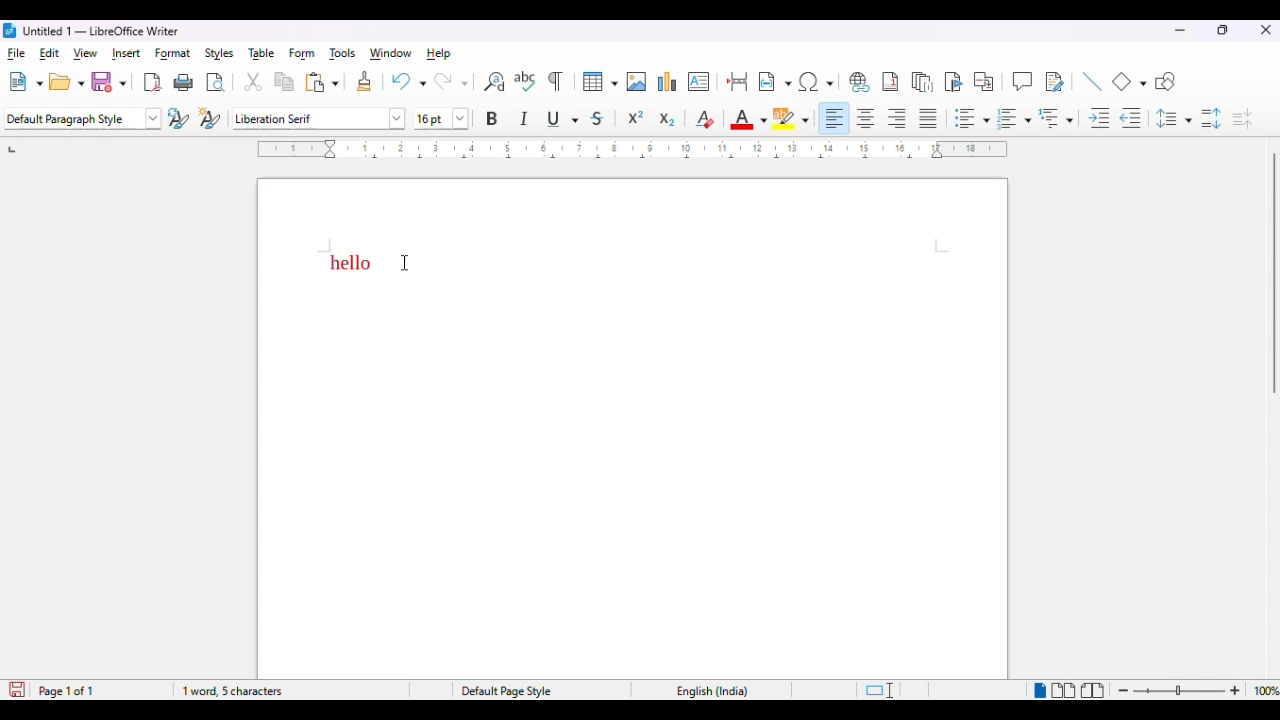 The image size is (1280, 720). I want to click on zoom factor, so click(1265, 690).